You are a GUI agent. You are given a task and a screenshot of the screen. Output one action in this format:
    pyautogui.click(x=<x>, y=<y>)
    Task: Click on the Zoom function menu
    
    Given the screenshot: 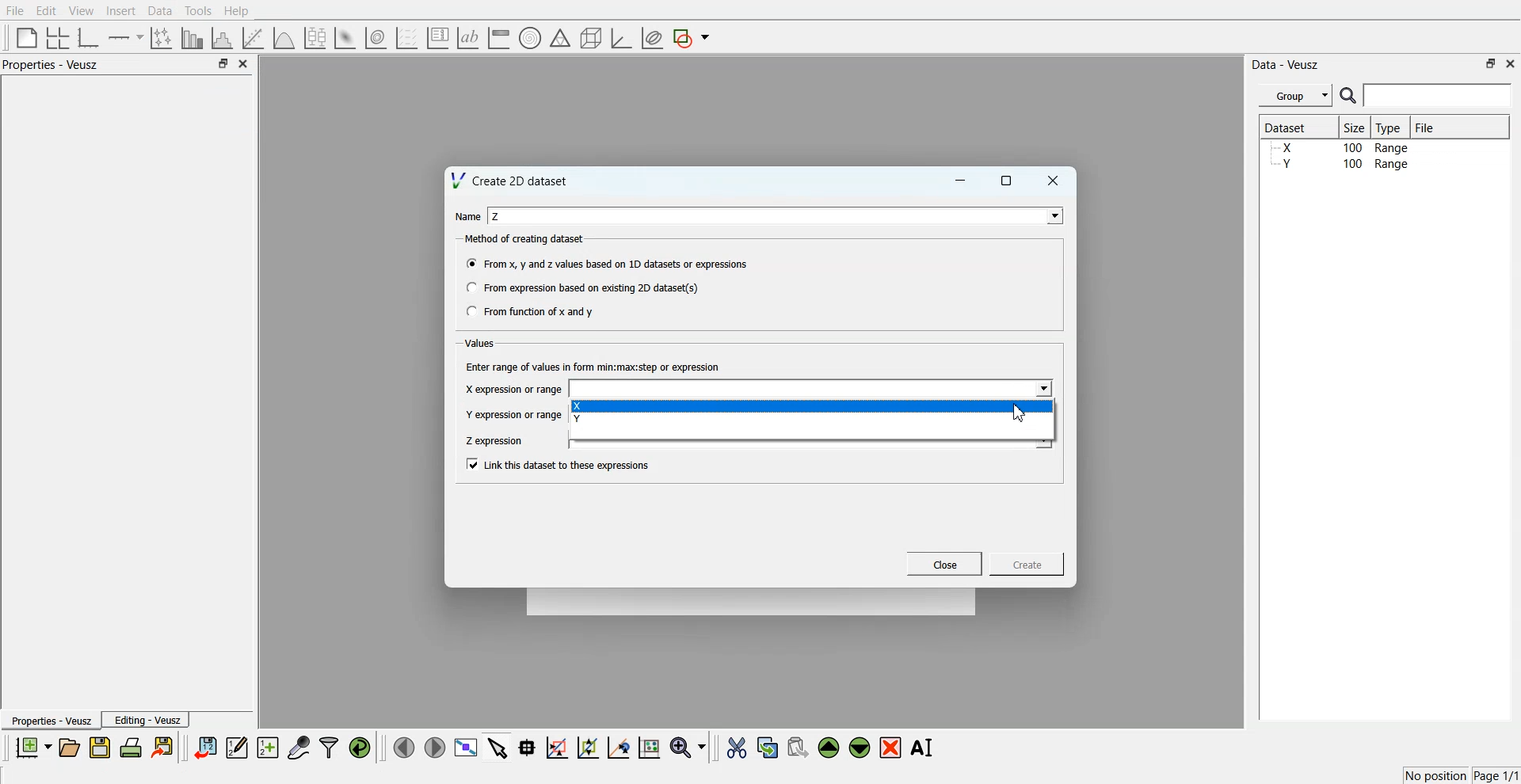 What is the action you would take?
    pyautogui.click(x=690, y=747)
    